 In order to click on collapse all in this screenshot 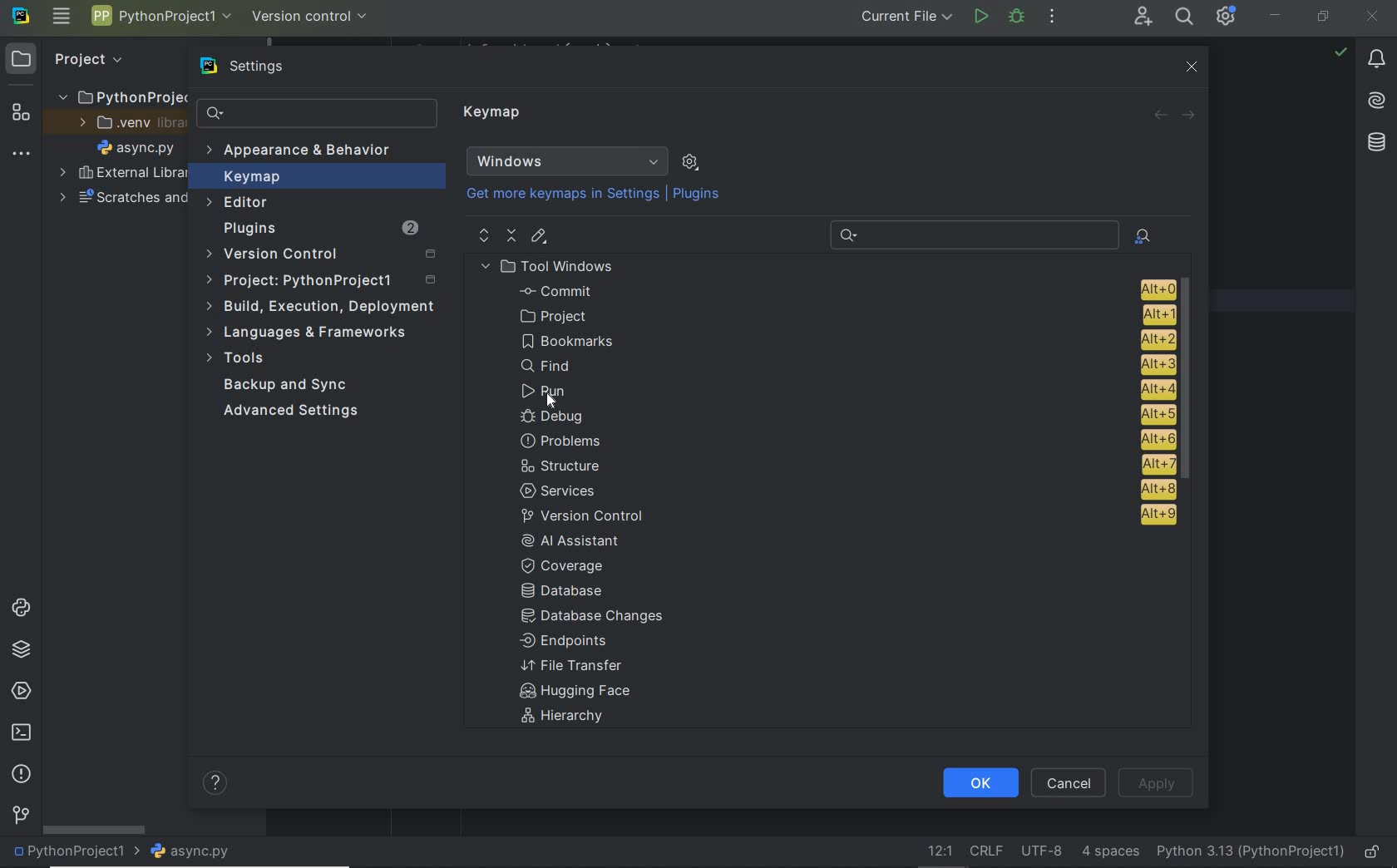, I will do `click(511, 236)`.